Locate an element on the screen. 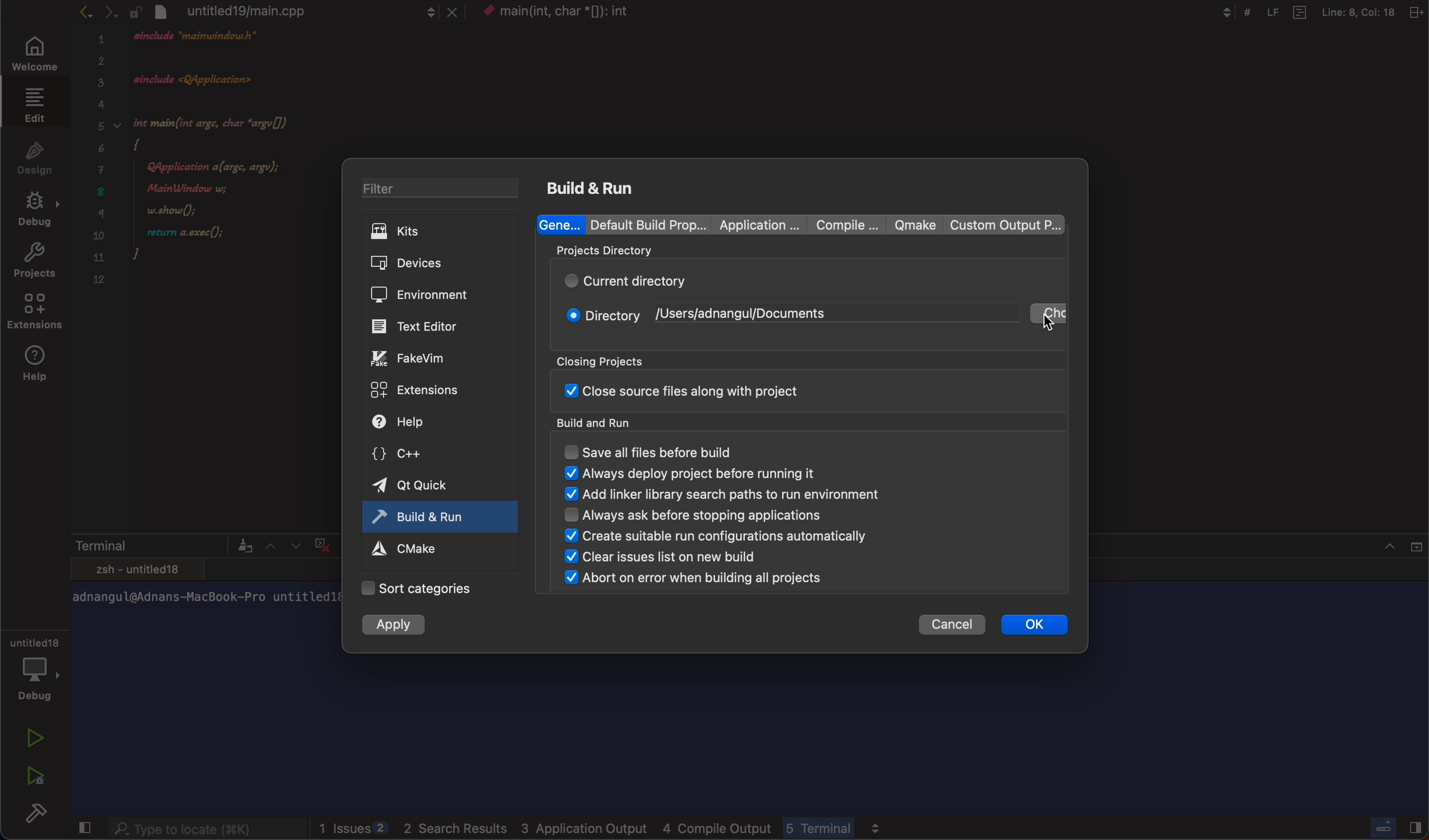 The image size is (1429, 840). always ask is located at coordinates (703, 517).